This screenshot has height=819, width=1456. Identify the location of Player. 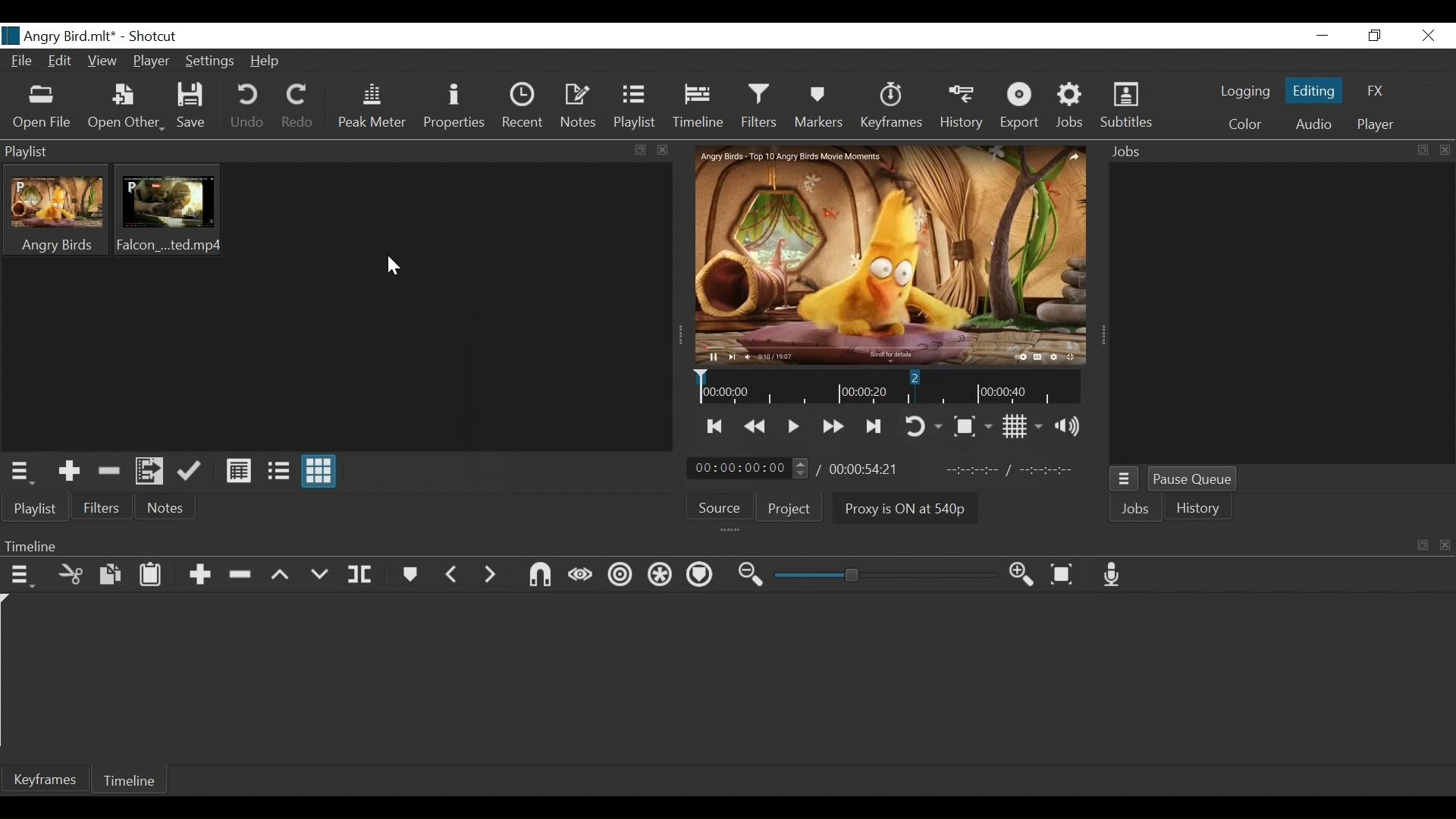
(149, 62).